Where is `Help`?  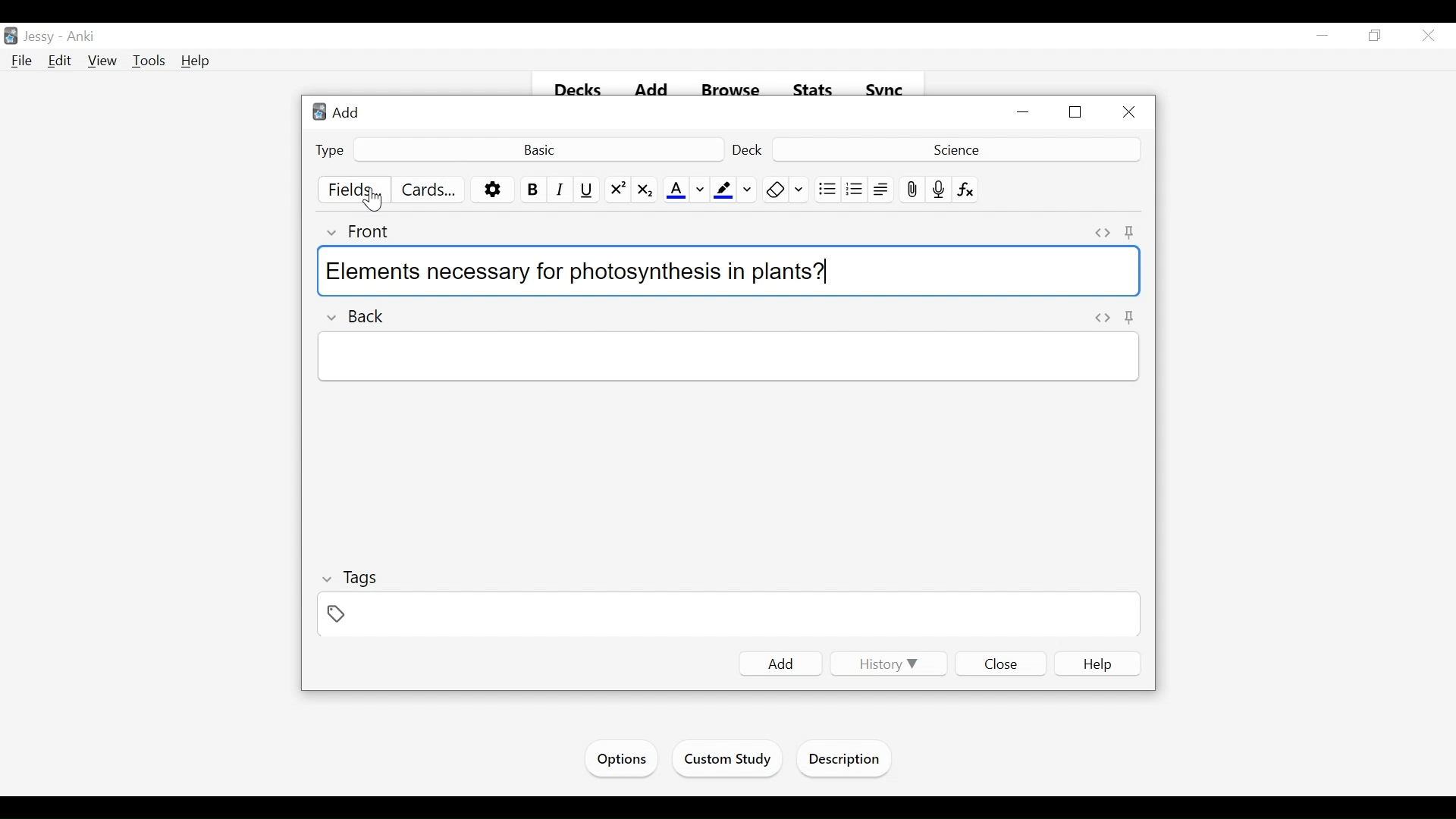
Help is located at coordinates (196, 61).